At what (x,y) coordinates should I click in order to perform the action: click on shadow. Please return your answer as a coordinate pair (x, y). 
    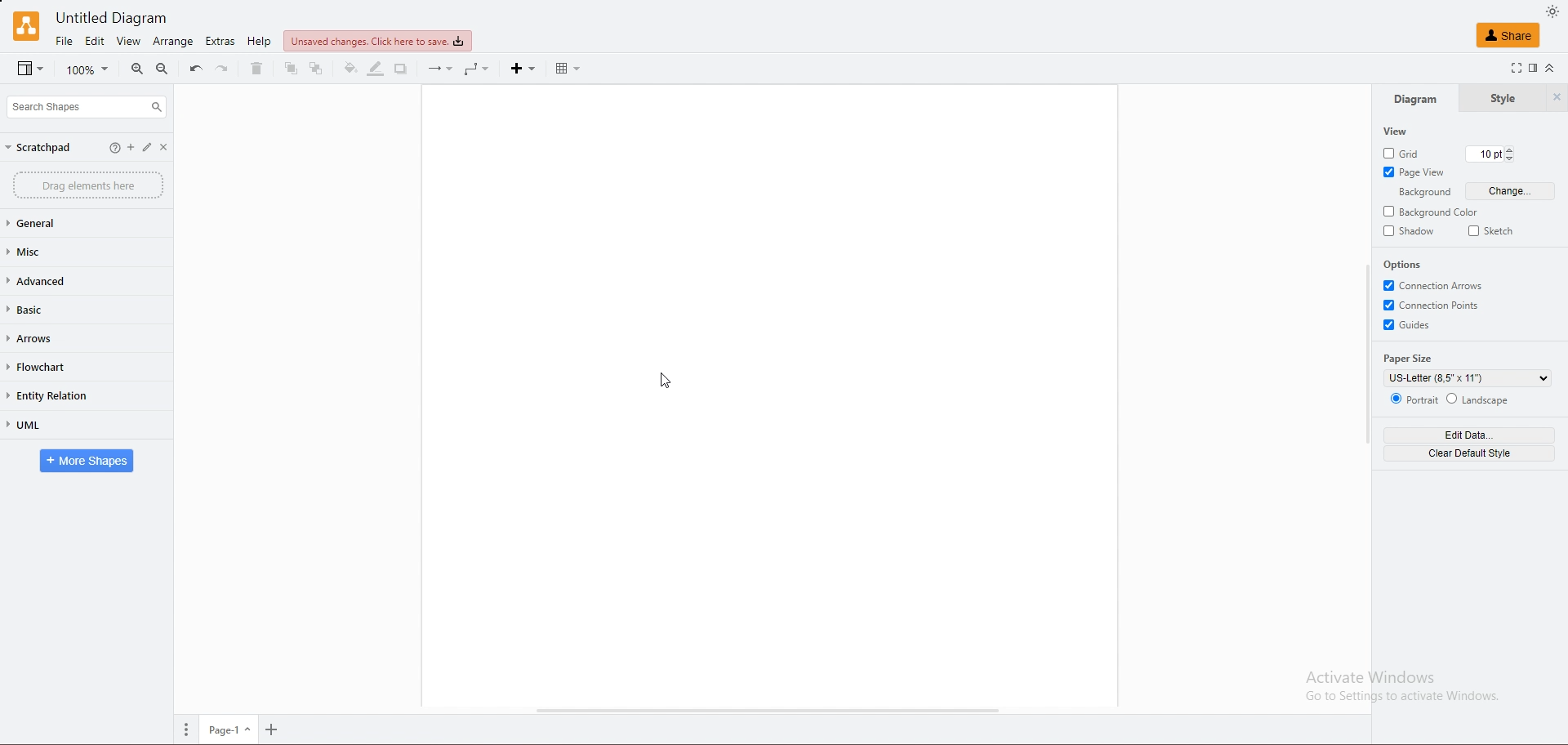
    Looking at the image, I should click on (1410, 230).